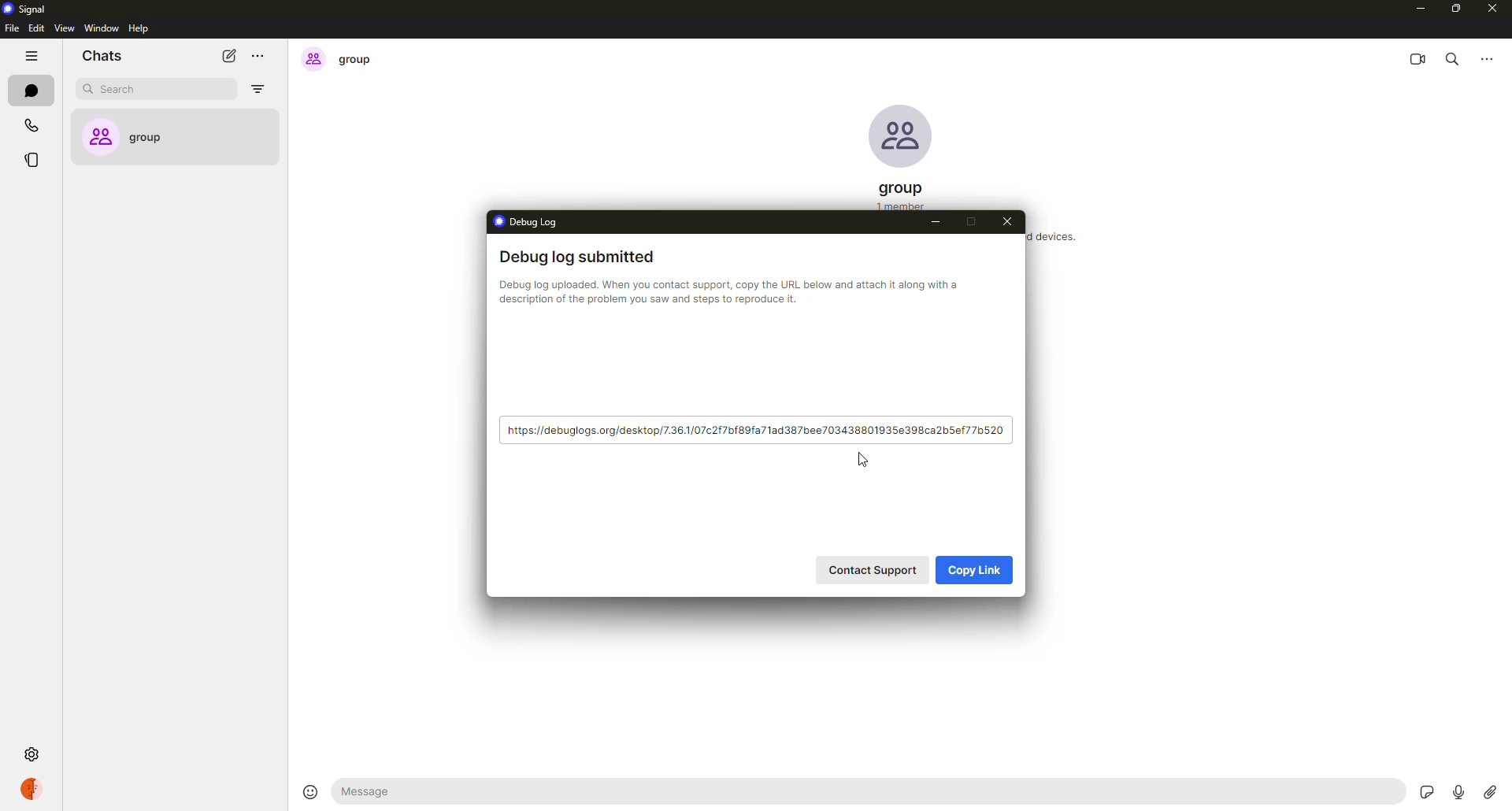  Describe the element at coordinates (862, 461) in the screenshot. I see `cursor` at that location.